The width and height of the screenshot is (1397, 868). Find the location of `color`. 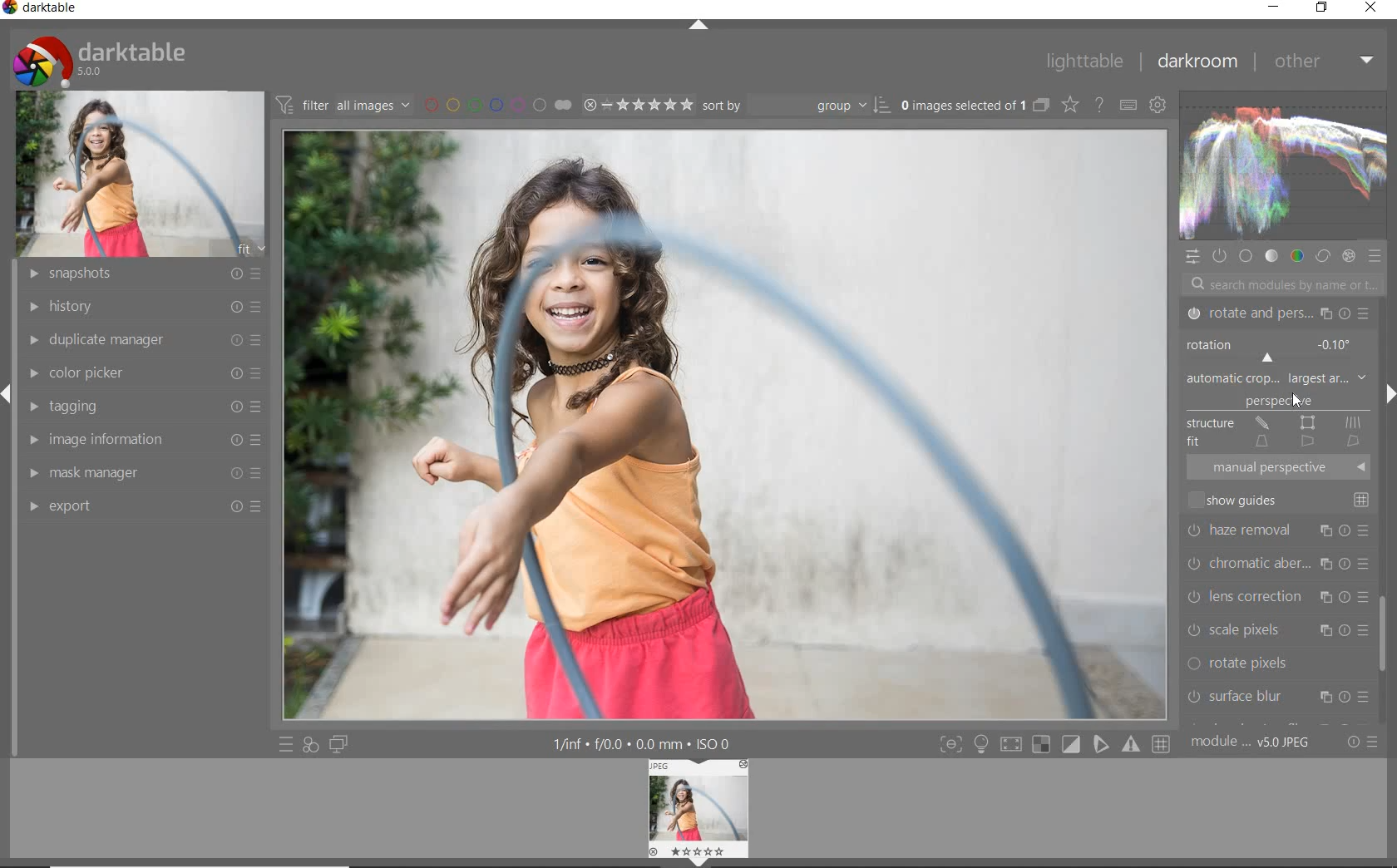

color is located at coordinates (1298, 258).